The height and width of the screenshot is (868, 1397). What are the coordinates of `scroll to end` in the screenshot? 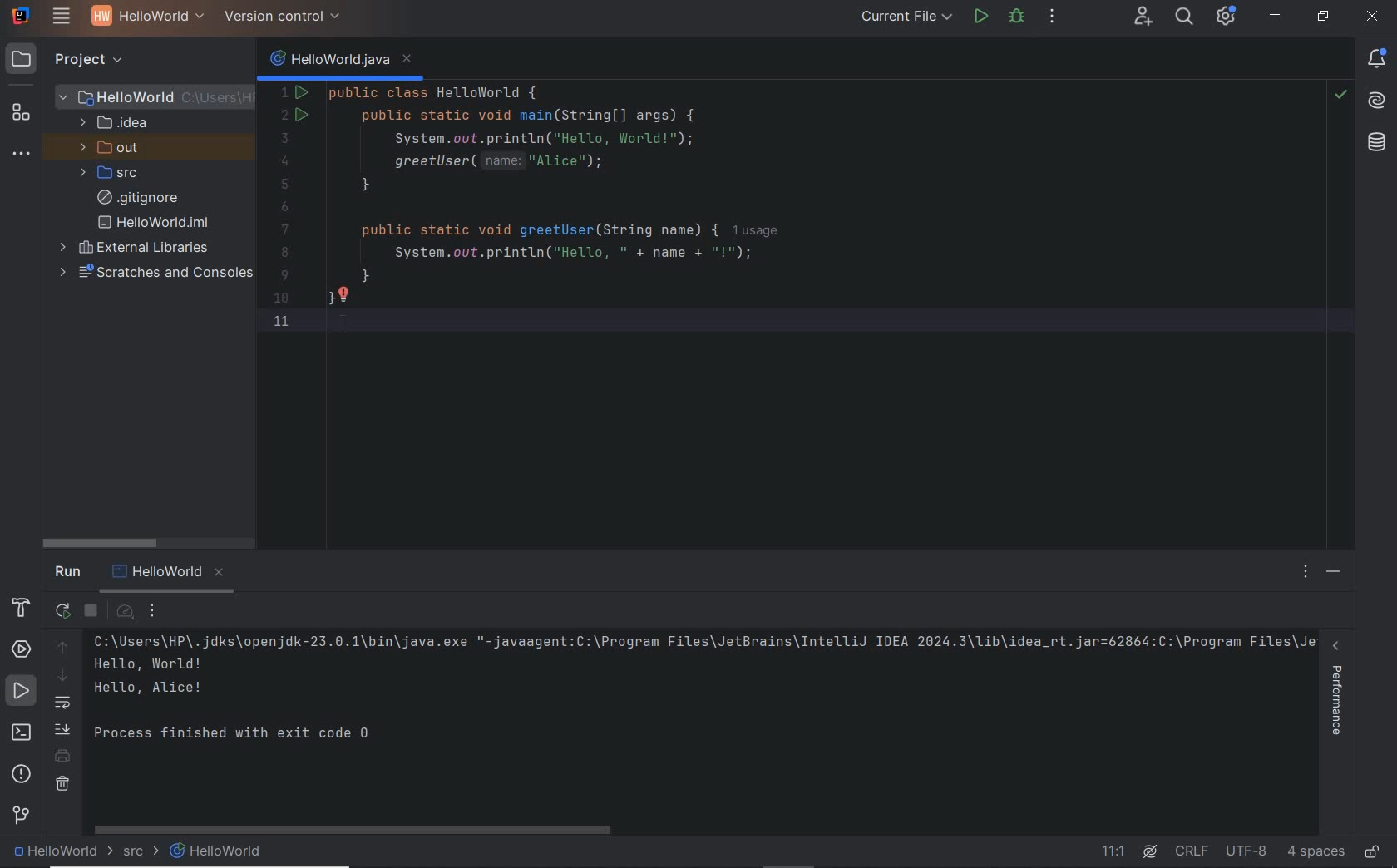 It's located at (63, 731).